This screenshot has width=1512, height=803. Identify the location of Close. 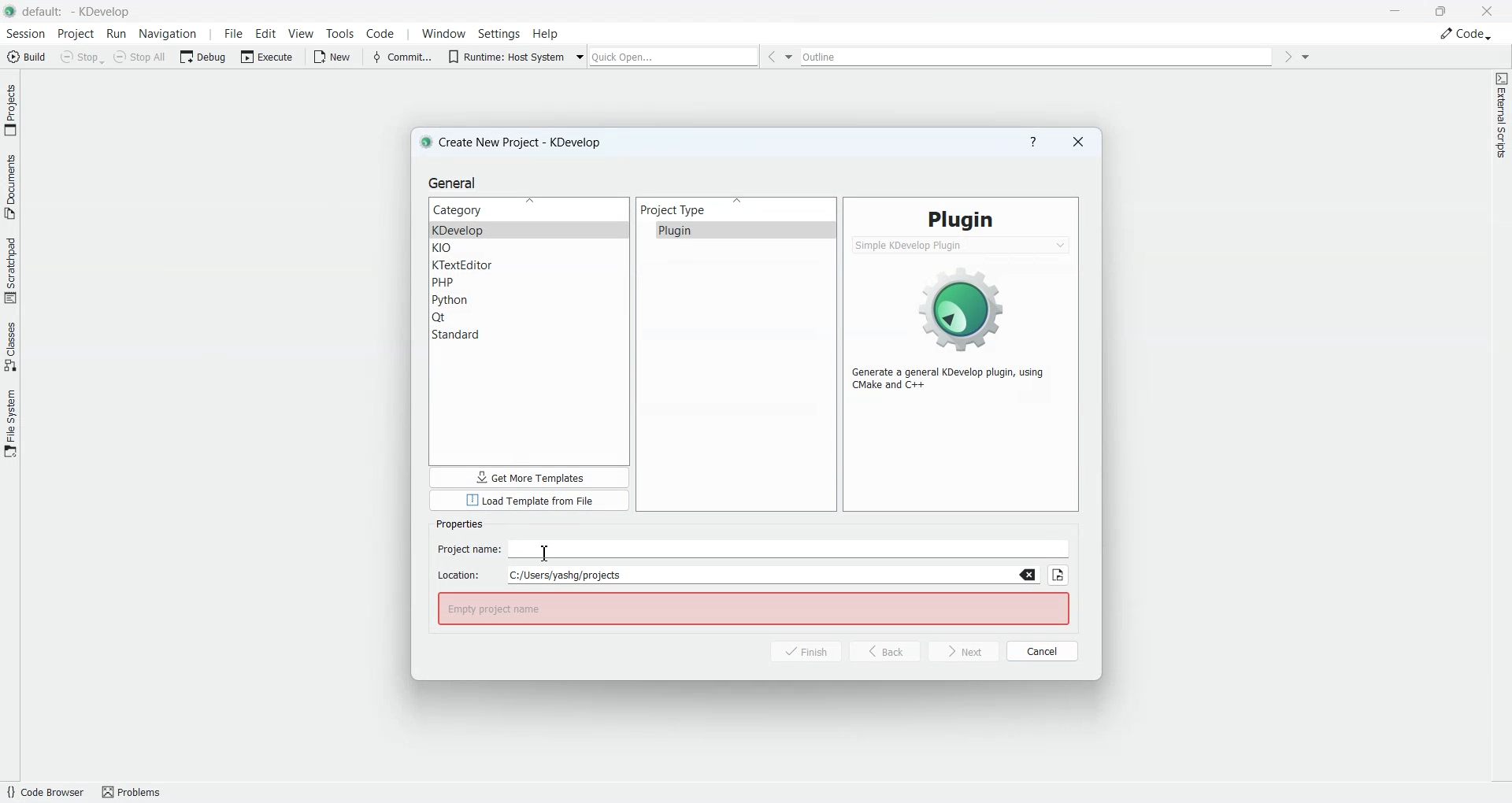
(1487, 10).